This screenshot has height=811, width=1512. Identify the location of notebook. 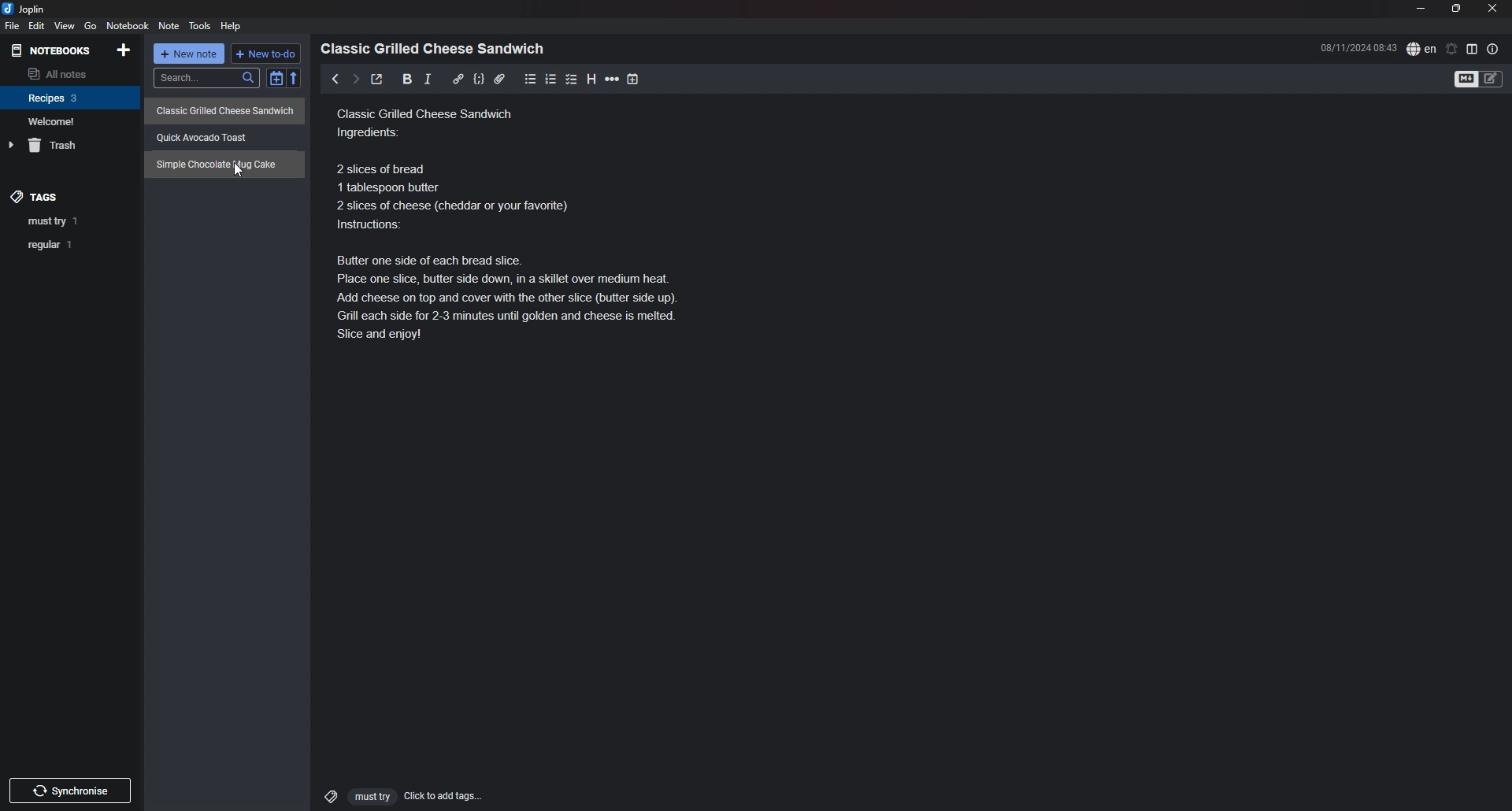
(129, 25).